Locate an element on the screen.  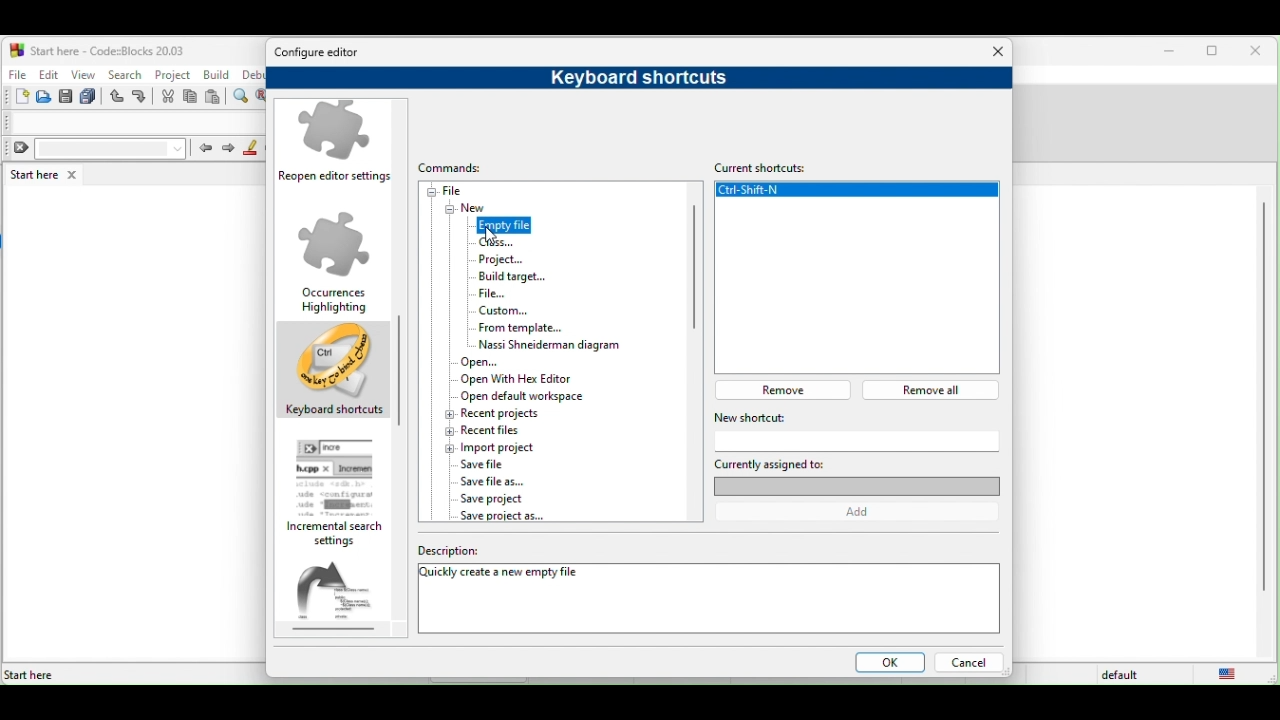
highlight is located at coordinates (251, 148).